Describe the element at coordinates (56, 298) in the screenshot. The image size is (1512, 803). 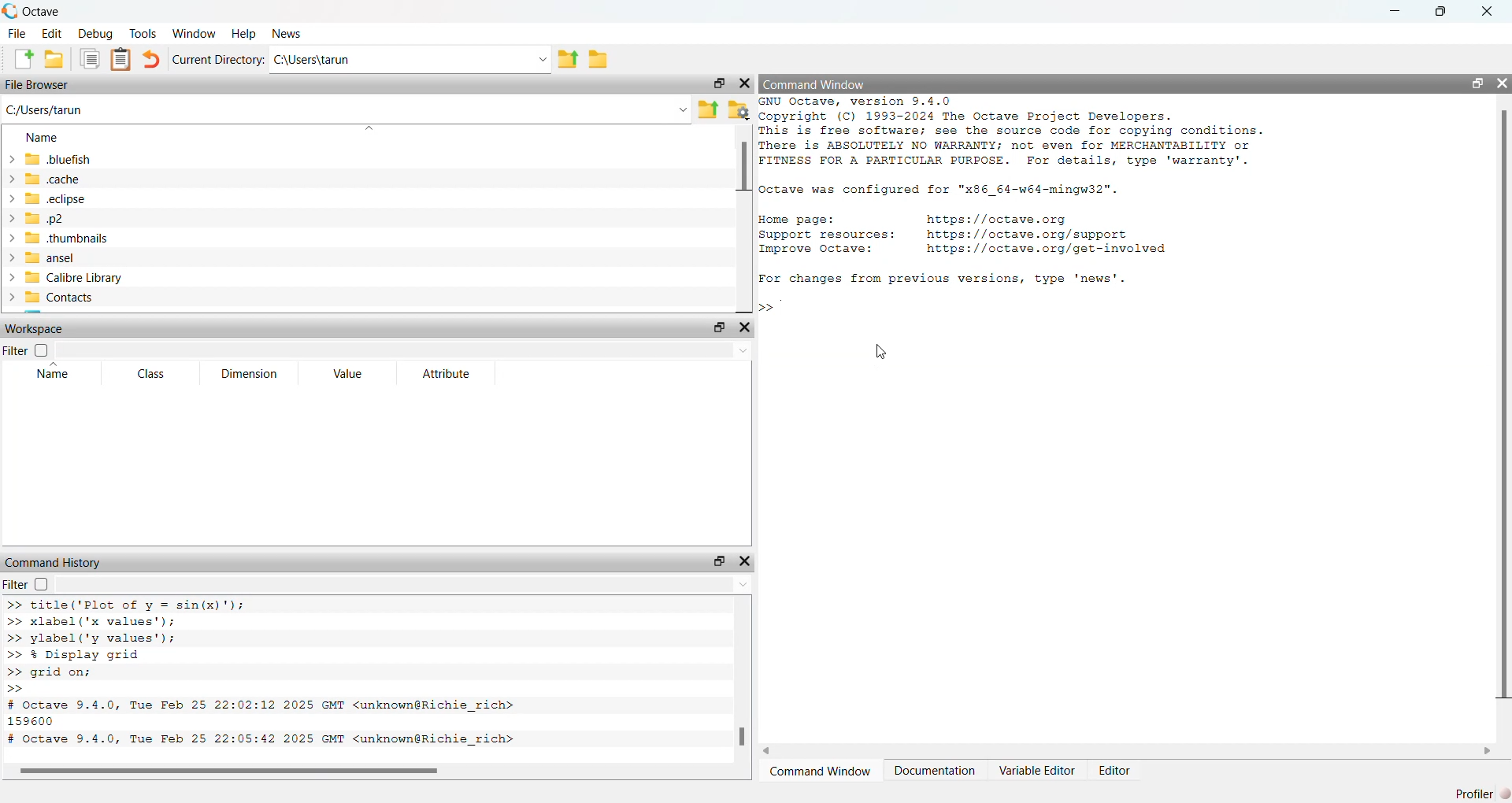
I see `Contacts` at that location.